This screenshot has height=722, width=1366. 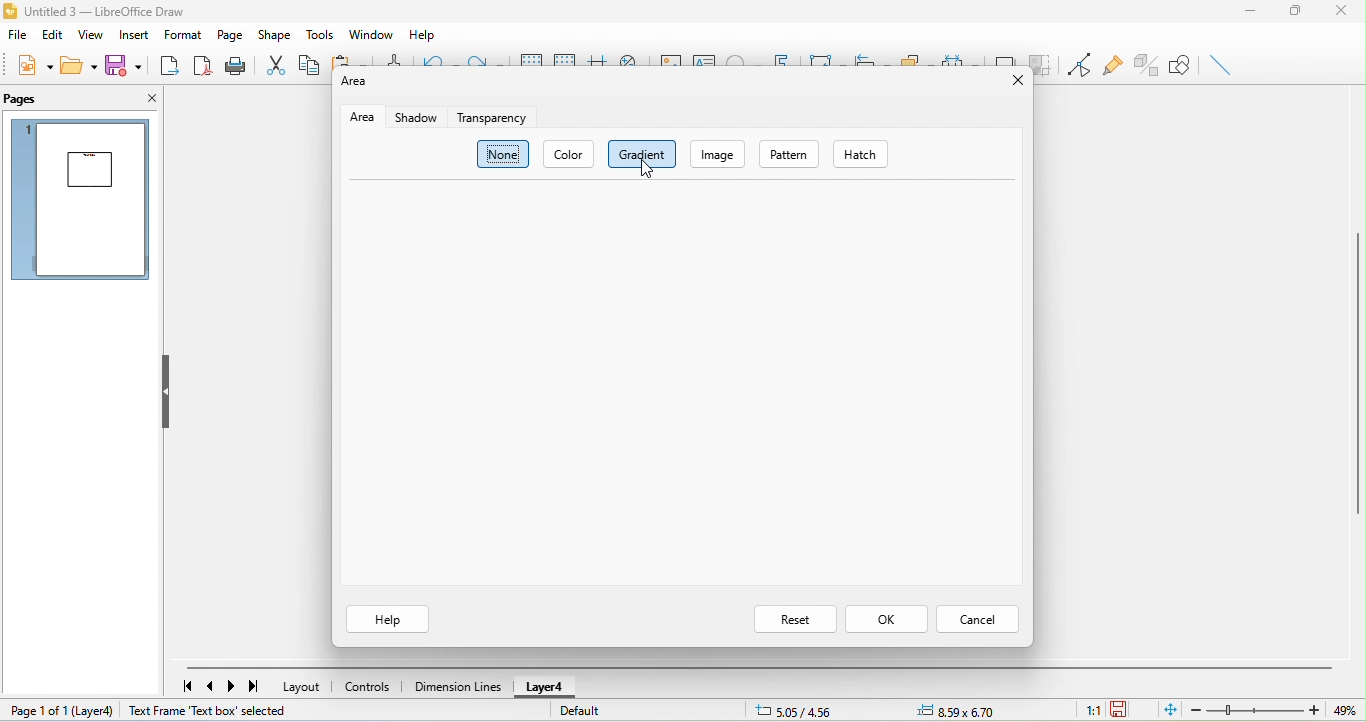 I want to click on gradient, so click(x=642, y=154).